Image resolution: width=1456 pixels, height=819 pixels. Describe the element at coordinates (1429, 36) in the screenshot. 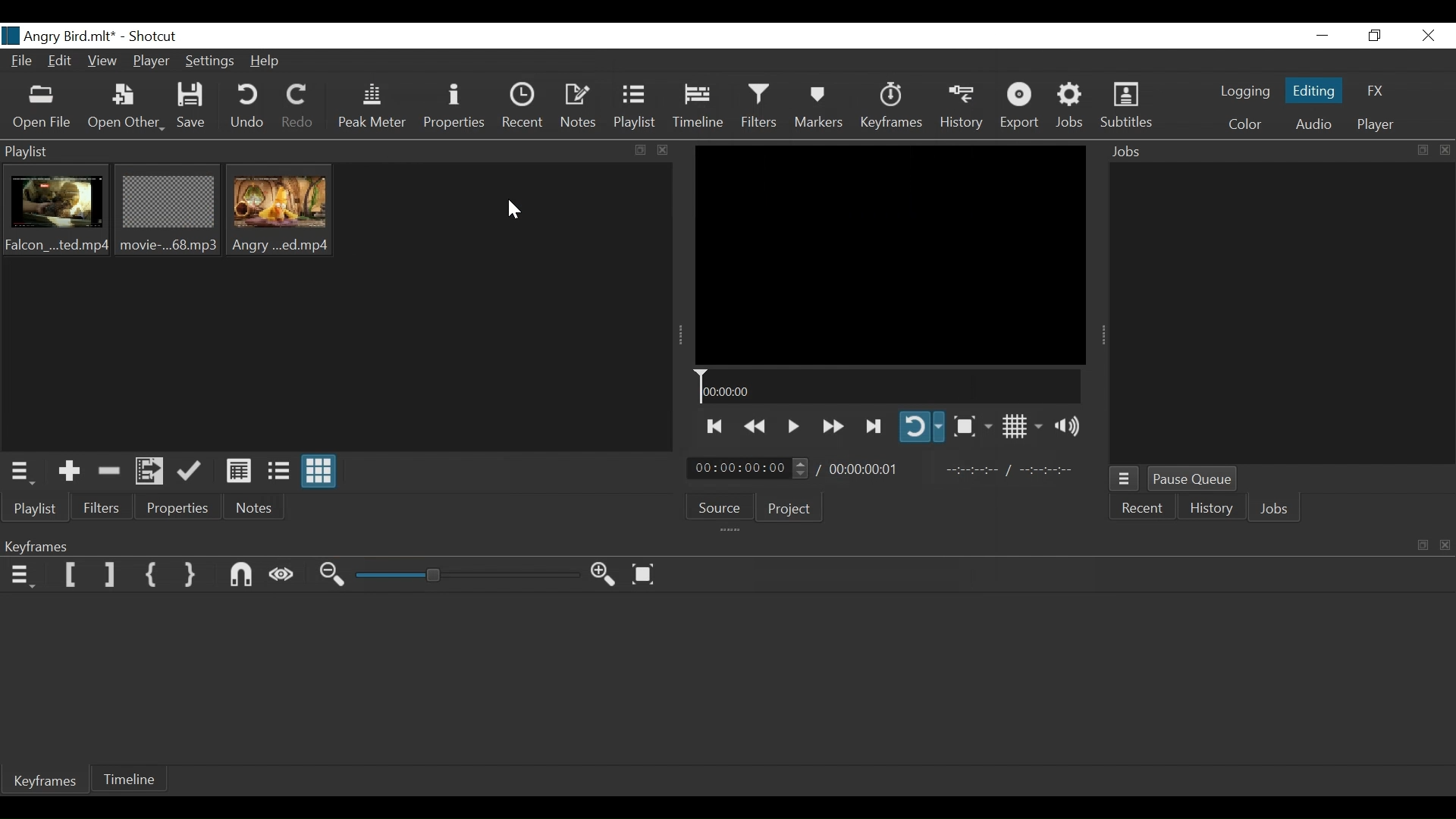

I see `Close` at that location.